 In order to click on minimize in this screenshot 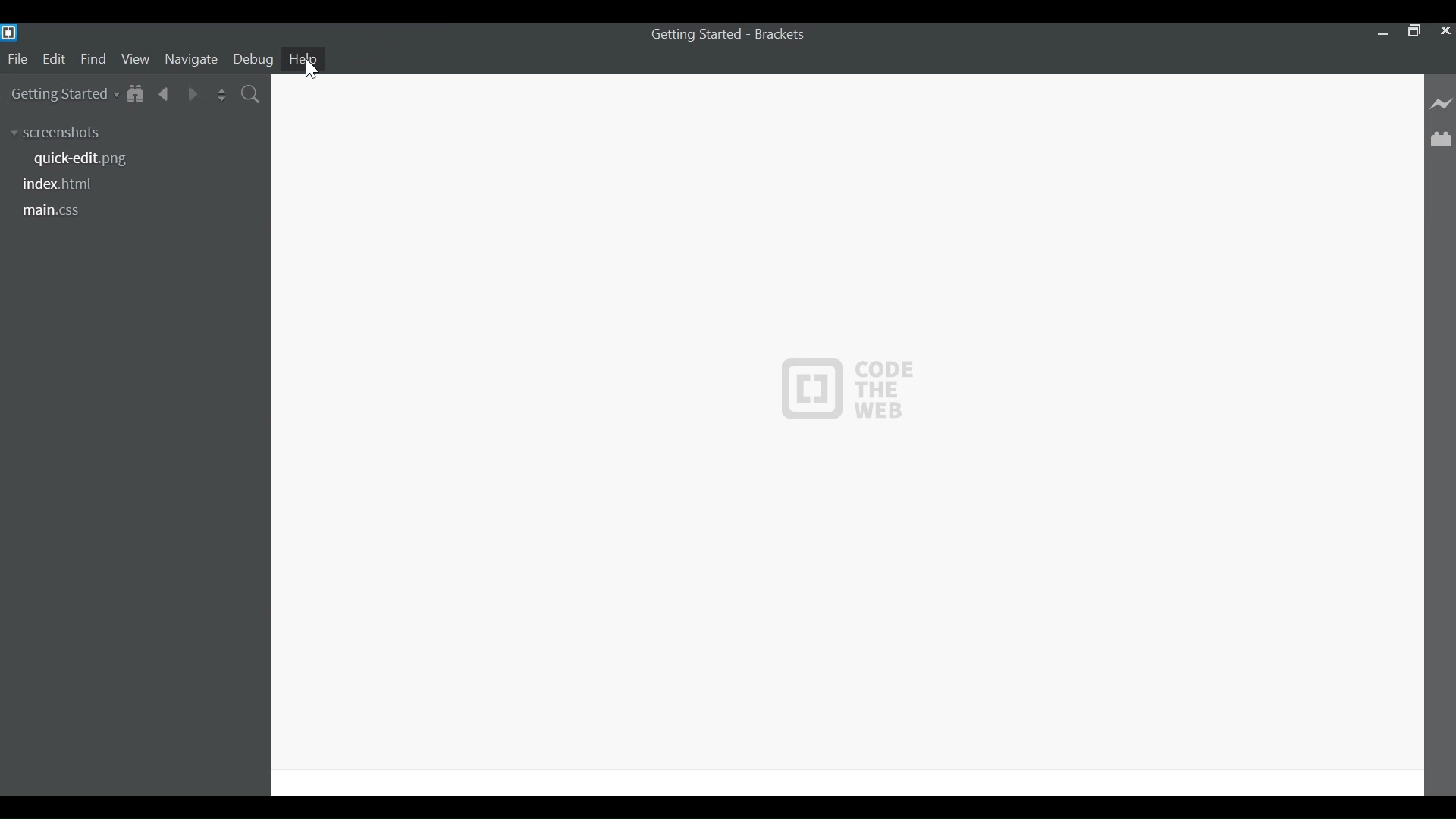, I will do `click(1382, 31)`.